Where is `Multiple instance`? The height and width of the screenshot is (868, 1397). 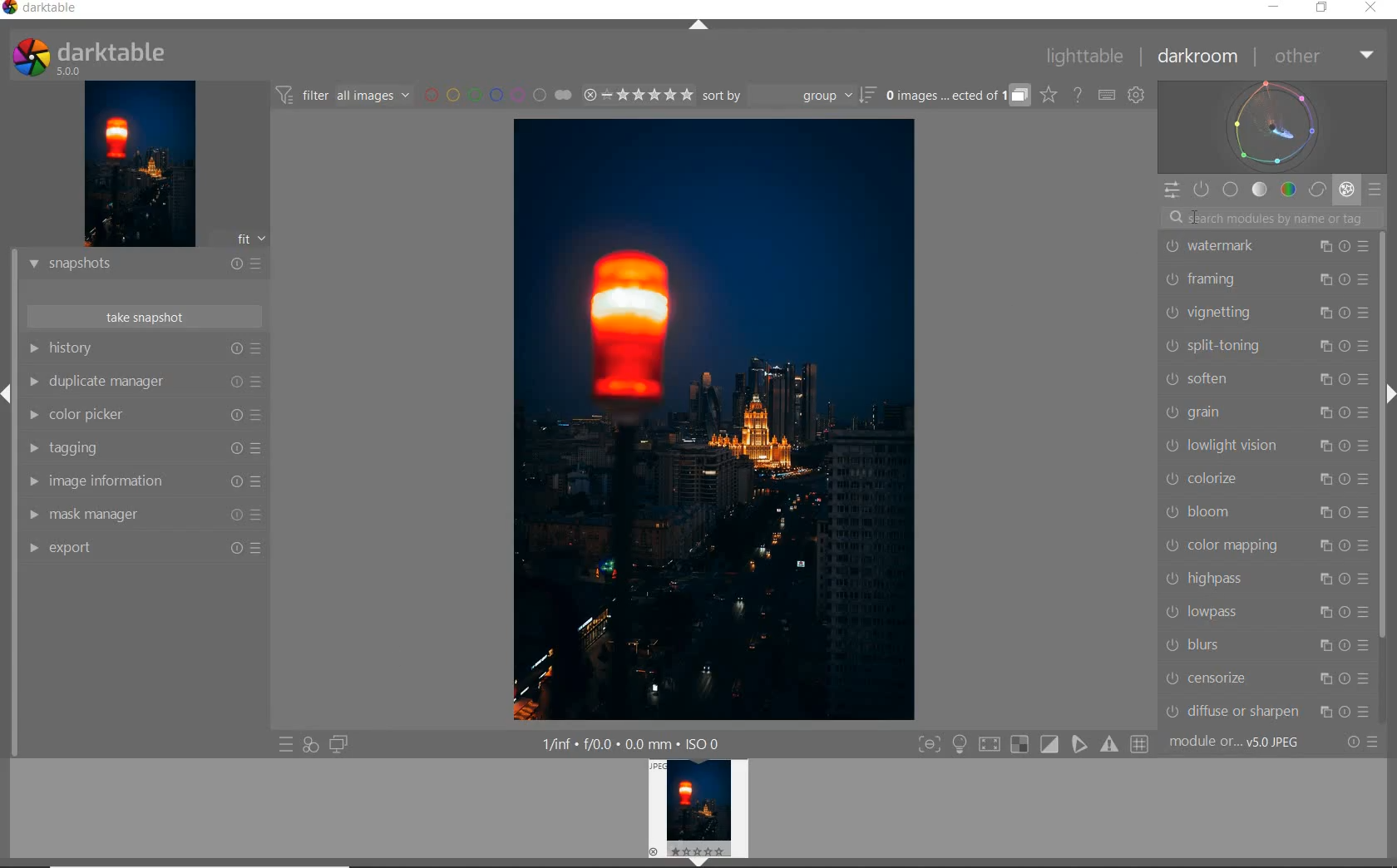
Multiple instance is located at coordinates (1323, 548).